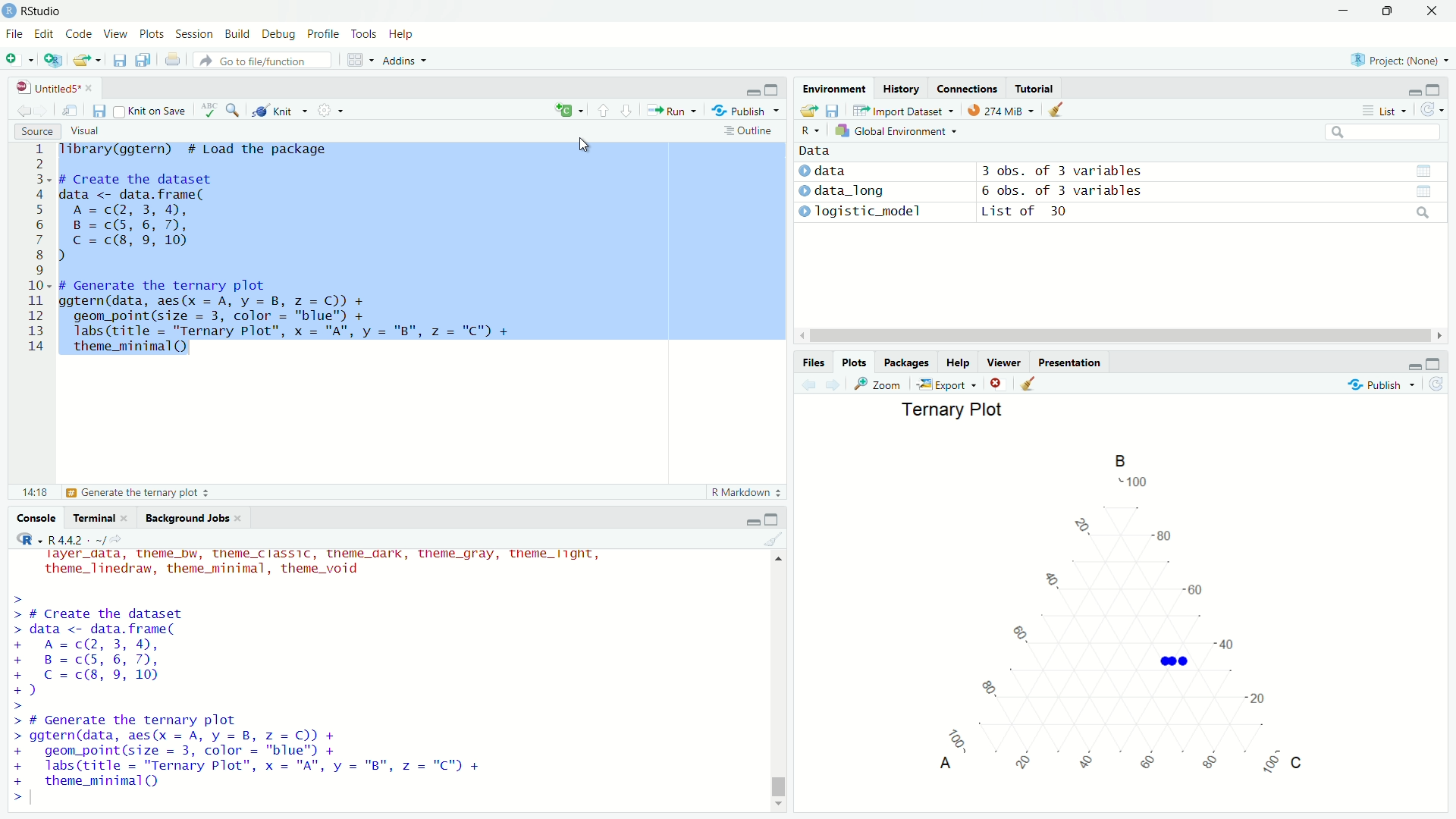  I want to click on Tutorial, so click(1036, 87).